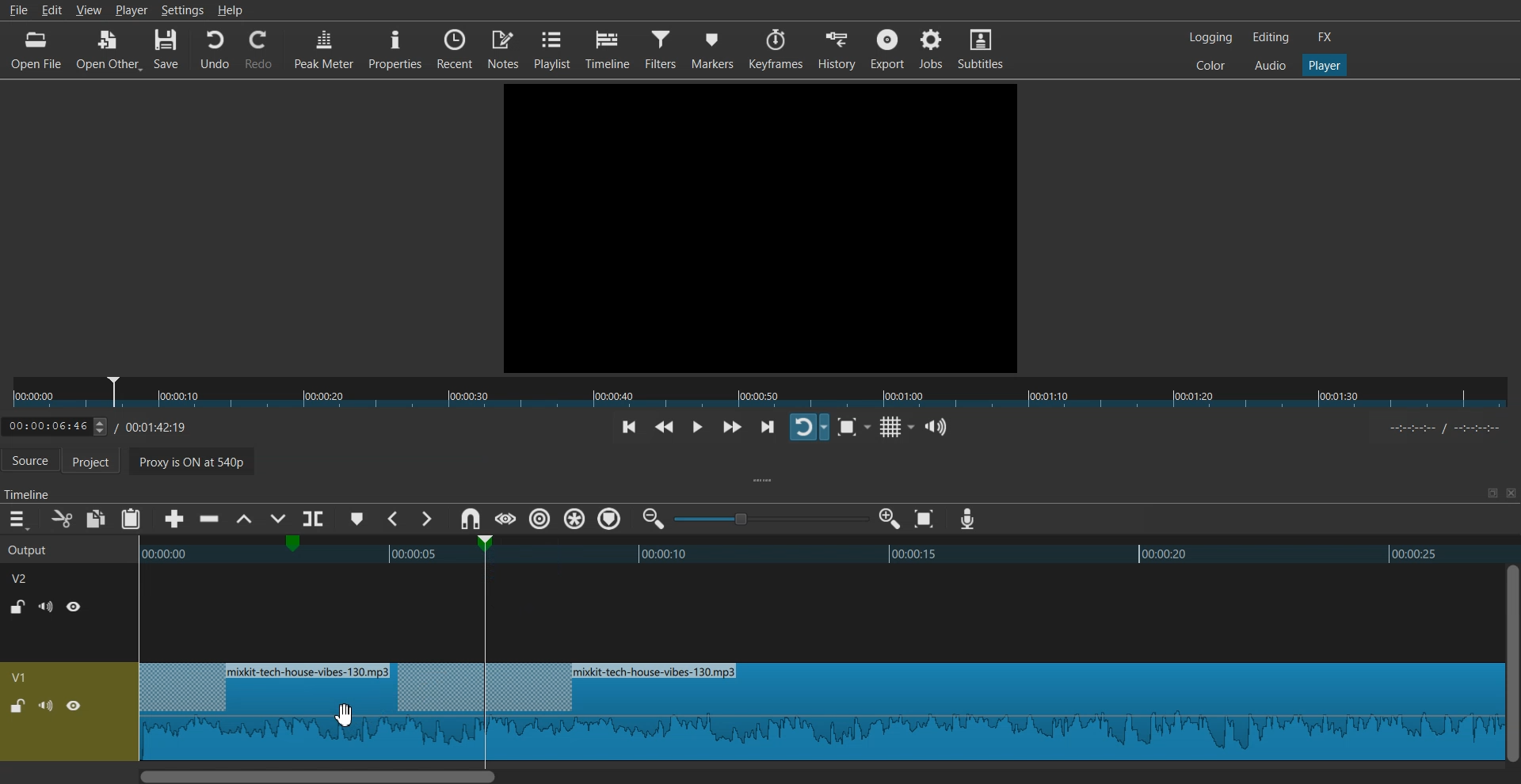 This screenshot has width=1521, height=784. Describe the element at coordinates (46, 705) in the screenshot. I see `Mute` at that location.